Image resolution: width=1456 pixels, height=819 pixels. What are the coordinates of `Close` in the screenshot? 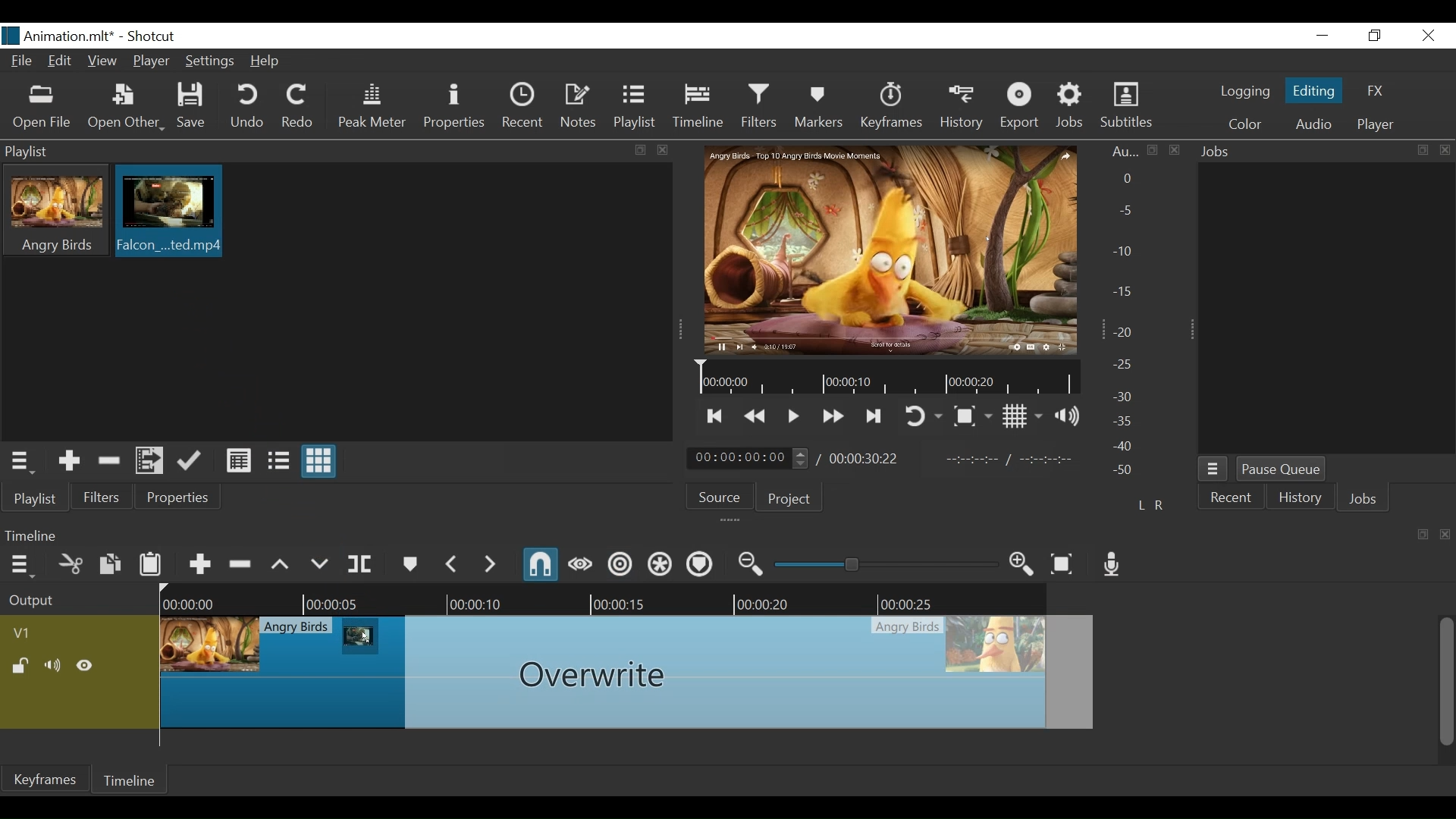 It's located at (1429, 36).